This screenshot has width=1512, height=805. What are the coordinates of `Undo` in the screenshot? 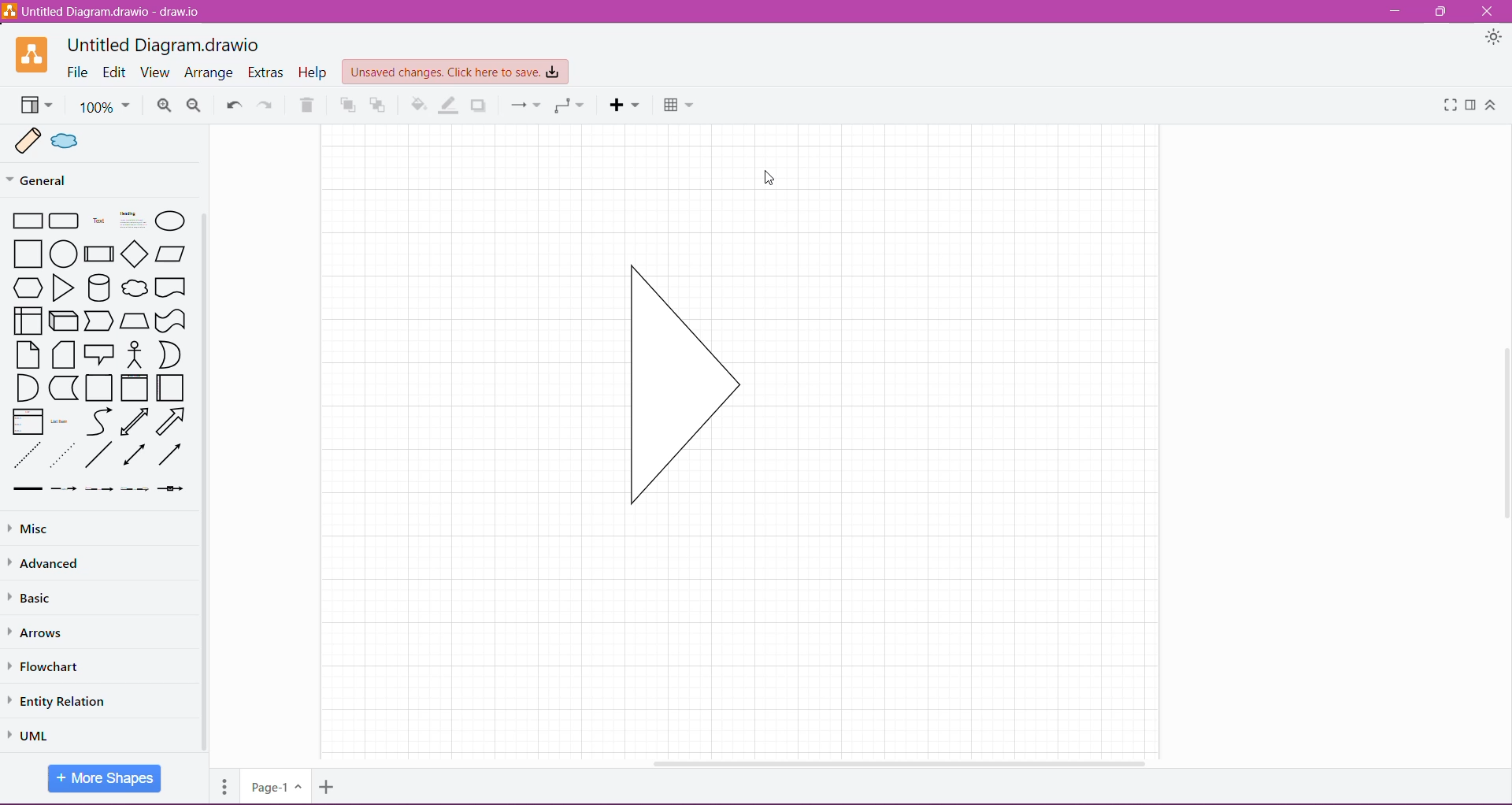 It's located at (233, 106).